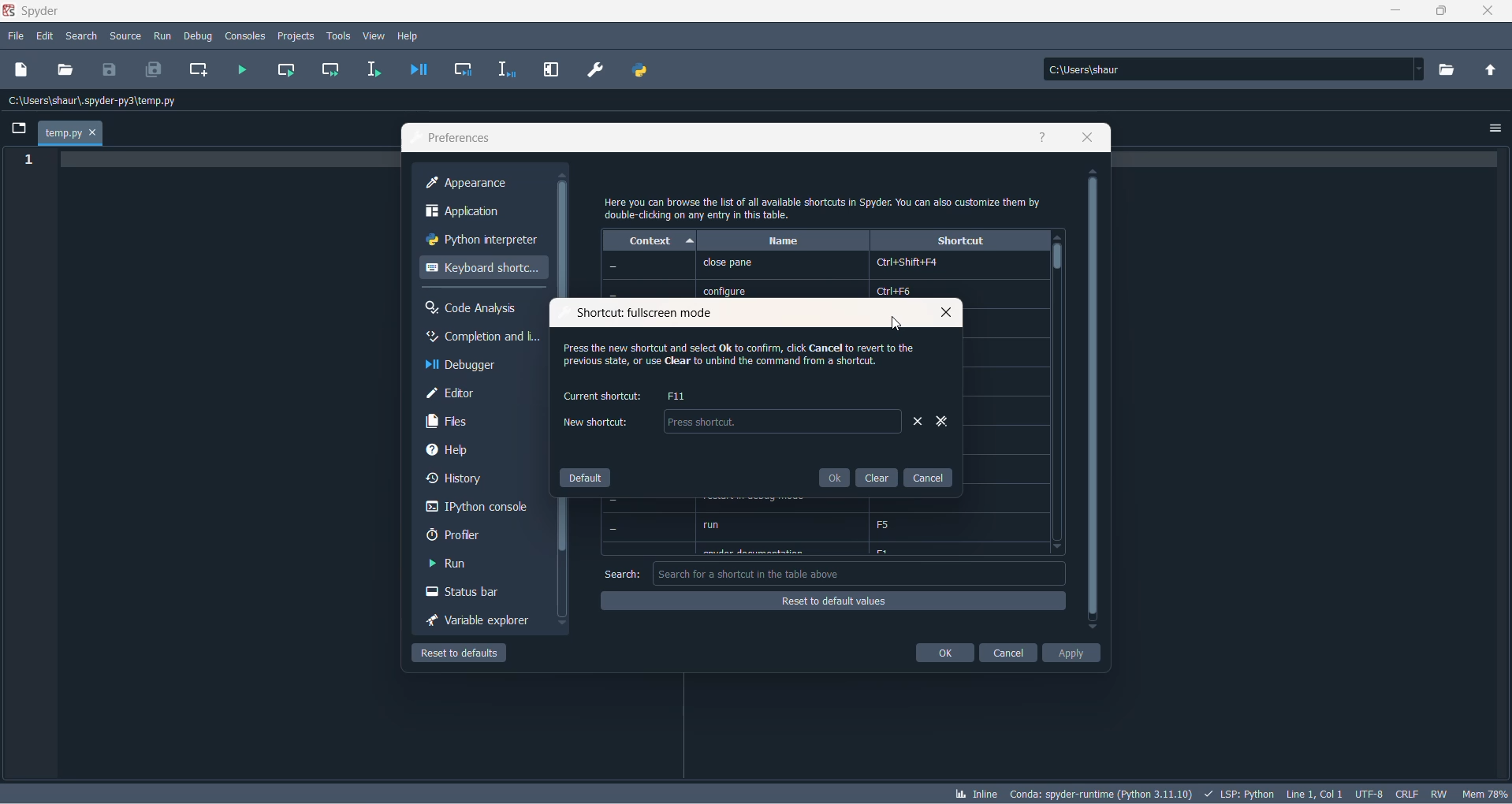 This screenshot has width=1512, height=804. What do you see at coordinates (1008, 654) in the screenshot?
I see `cancel` at bounding box center [1008, 654].